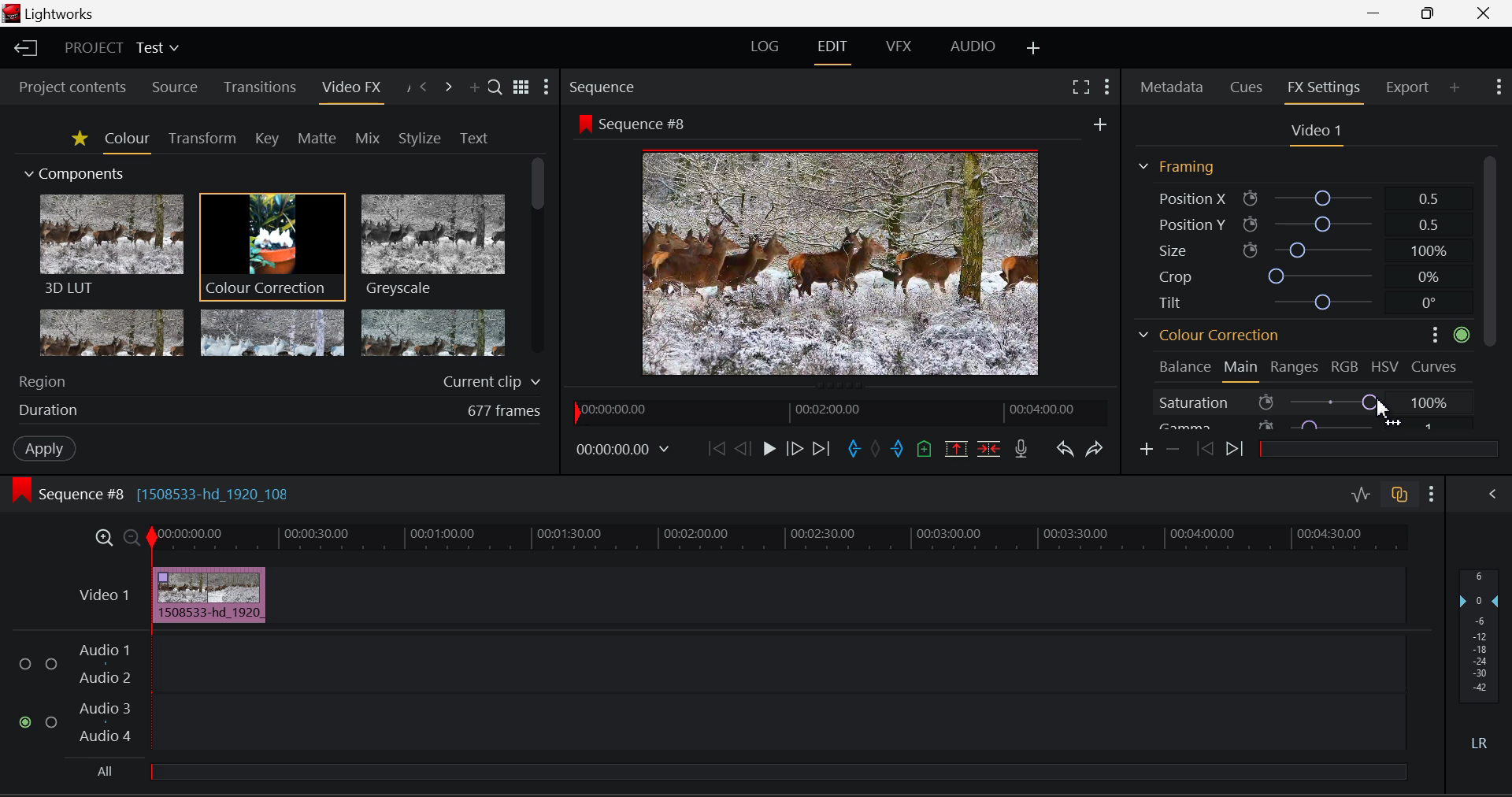 The image size is (1512, 797). I want to click on VFX, so click(898, 48).